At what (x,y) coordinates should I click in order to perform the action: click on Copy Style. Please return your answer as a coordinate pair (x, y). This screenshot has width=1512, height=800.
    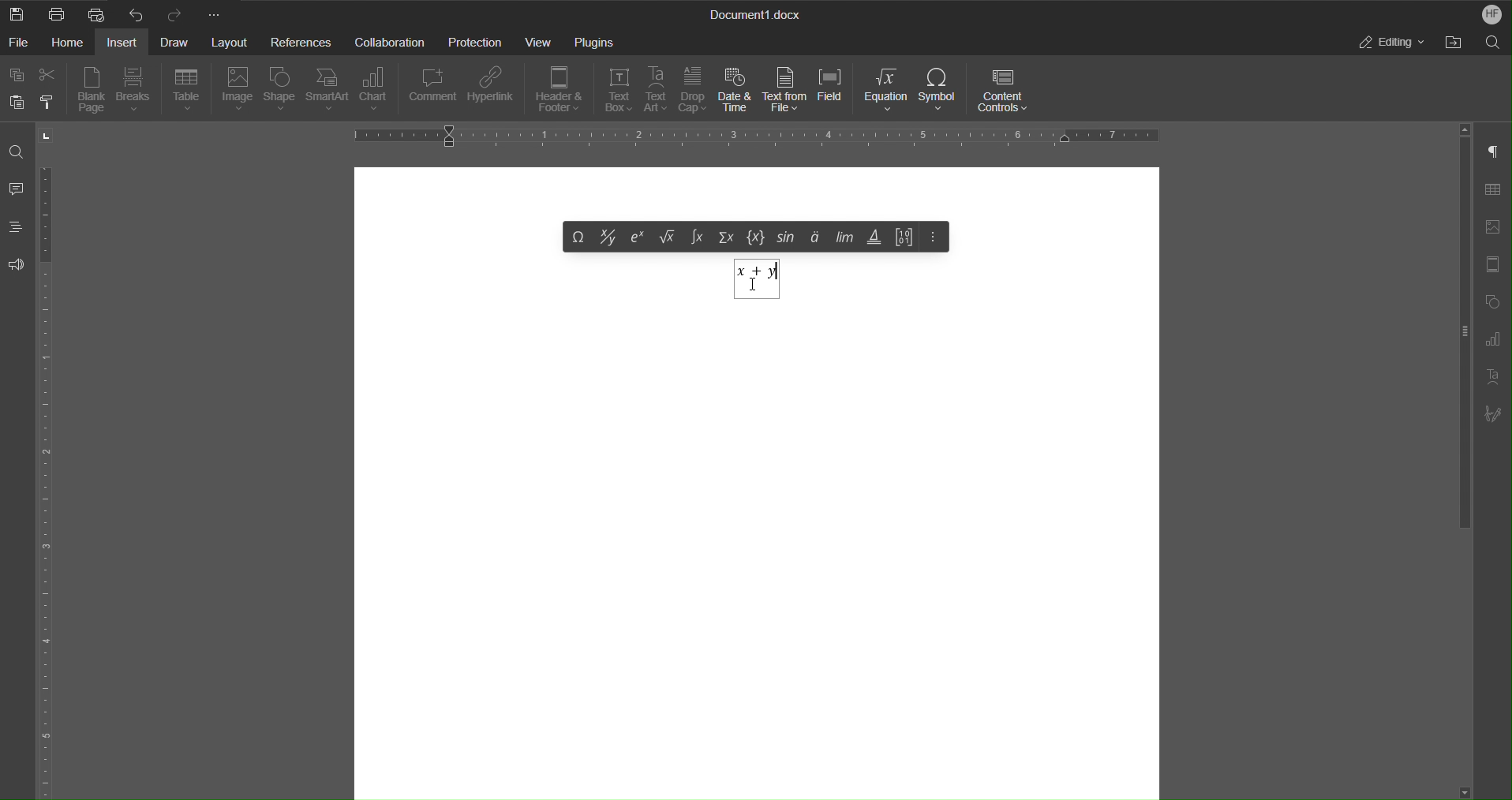
    Looking at the image, I should click on (48, 103).